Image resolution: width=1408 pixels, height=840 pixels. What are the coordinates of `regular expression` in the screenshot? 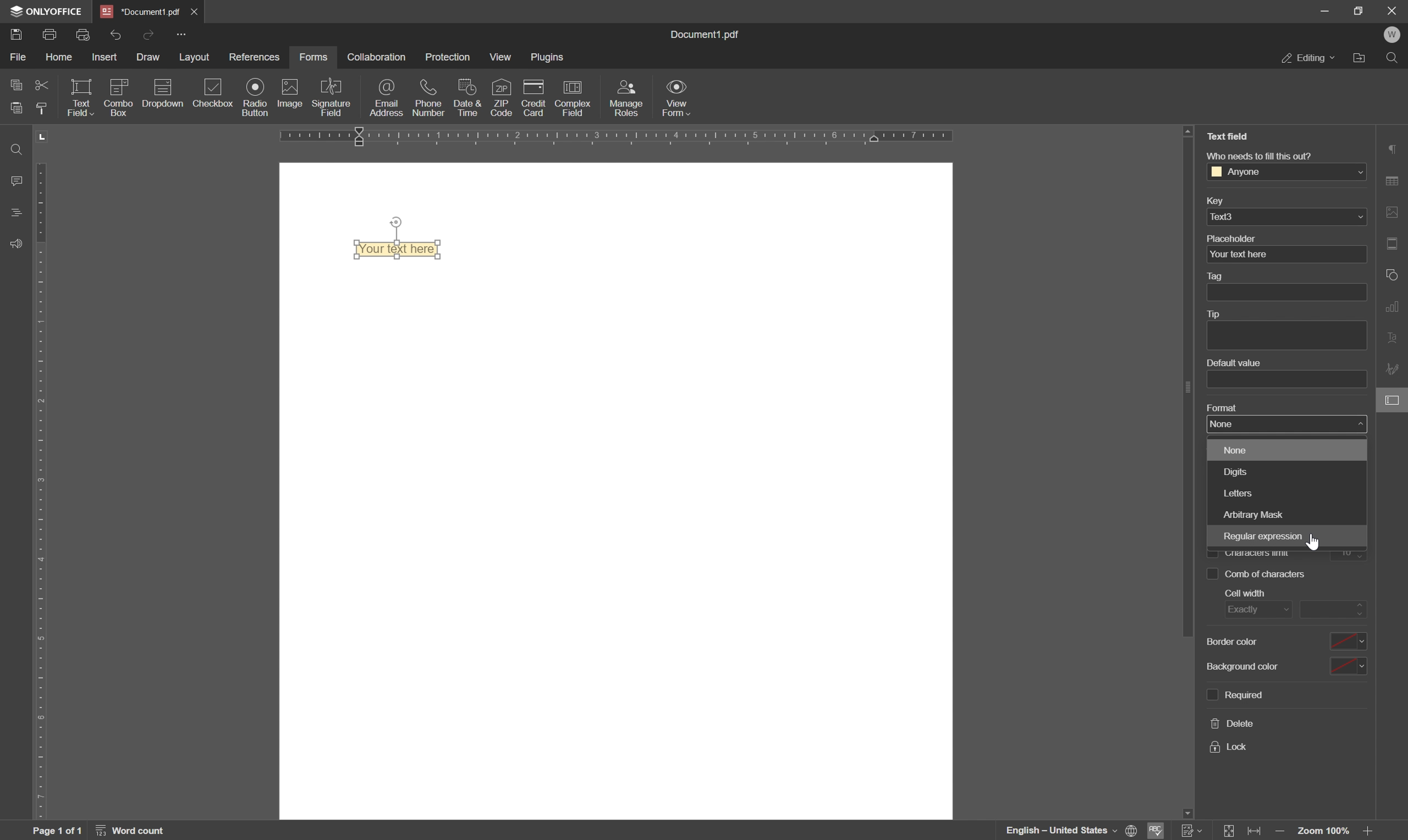 It's located at (1261, 537).